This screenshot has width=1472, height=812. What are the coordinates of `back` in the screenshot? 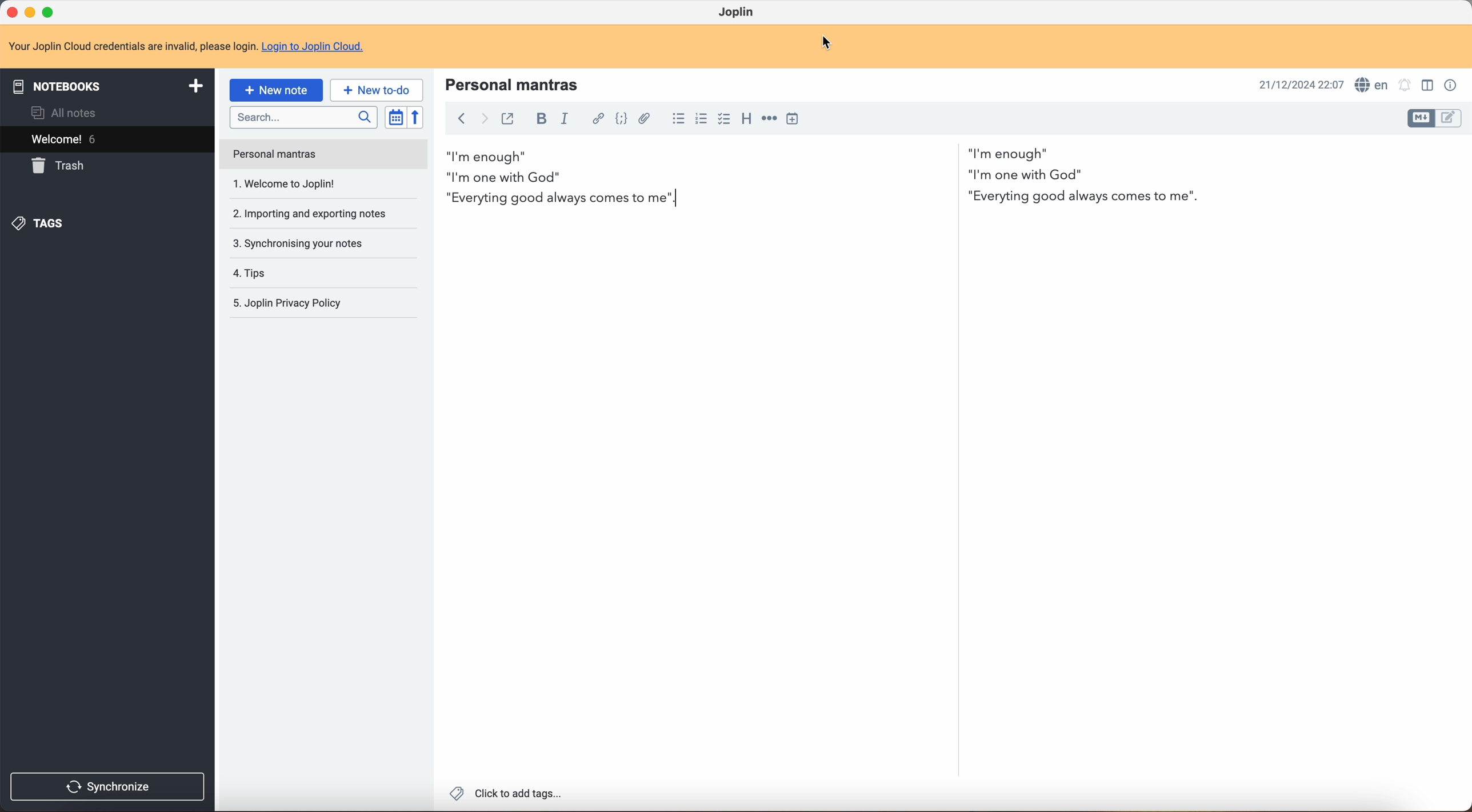 It's located at (461, 120).